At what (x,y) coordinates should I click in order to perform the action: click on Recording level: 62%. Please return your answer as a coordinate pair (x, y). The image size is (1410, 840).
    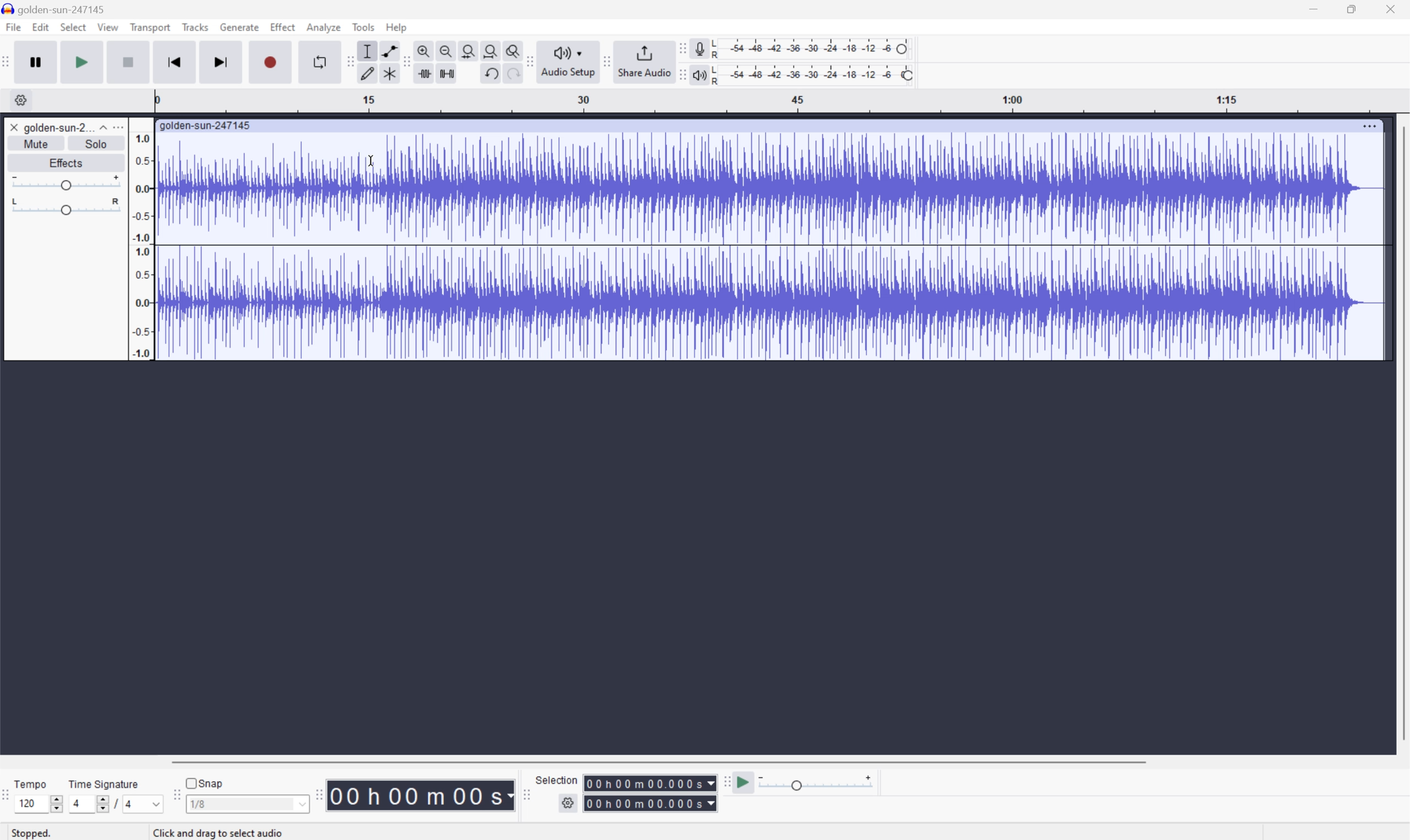
    Looking at the image, I should click on (814, 48).